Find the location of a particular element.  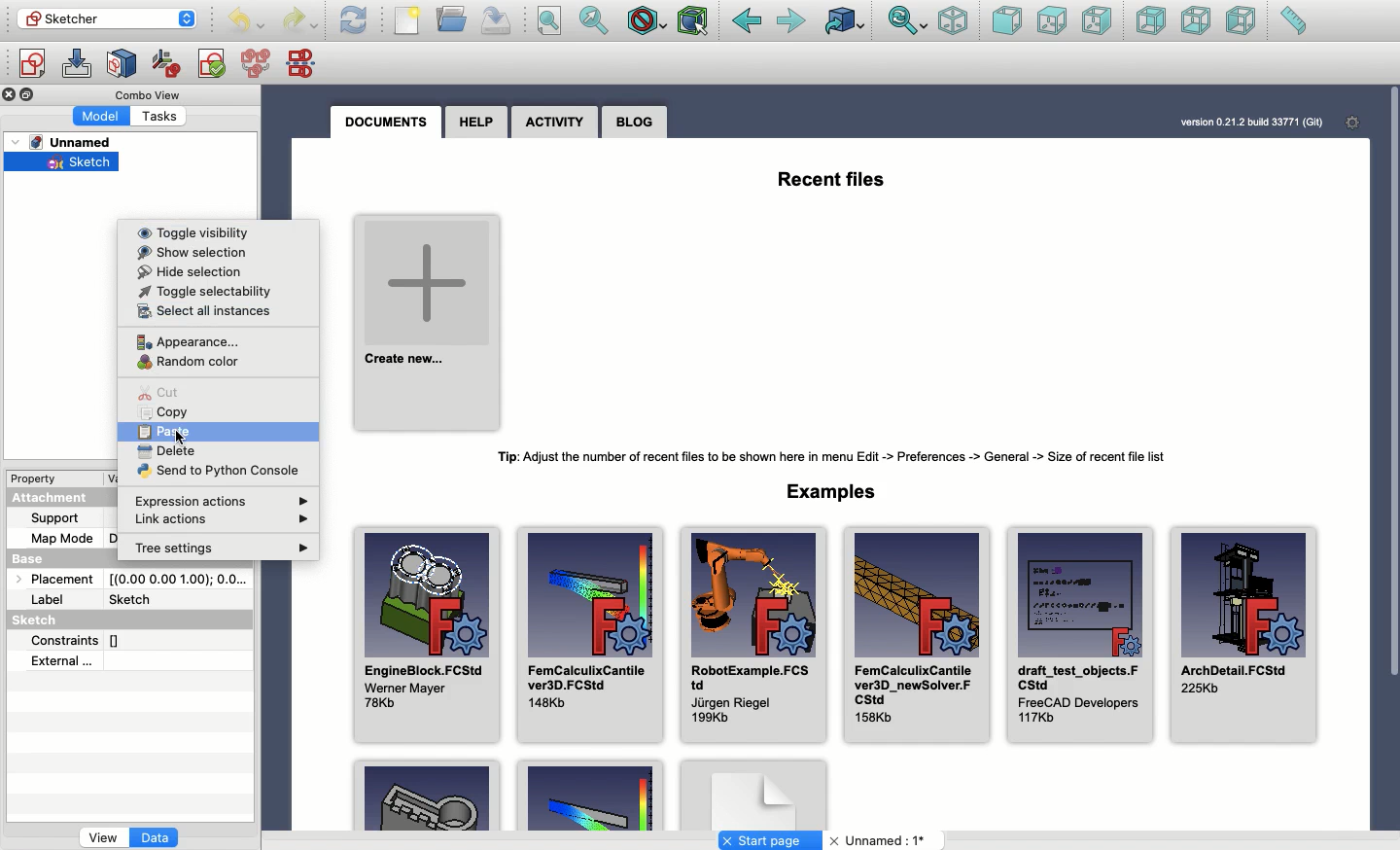

Delete is located at coordinates (165, 450).